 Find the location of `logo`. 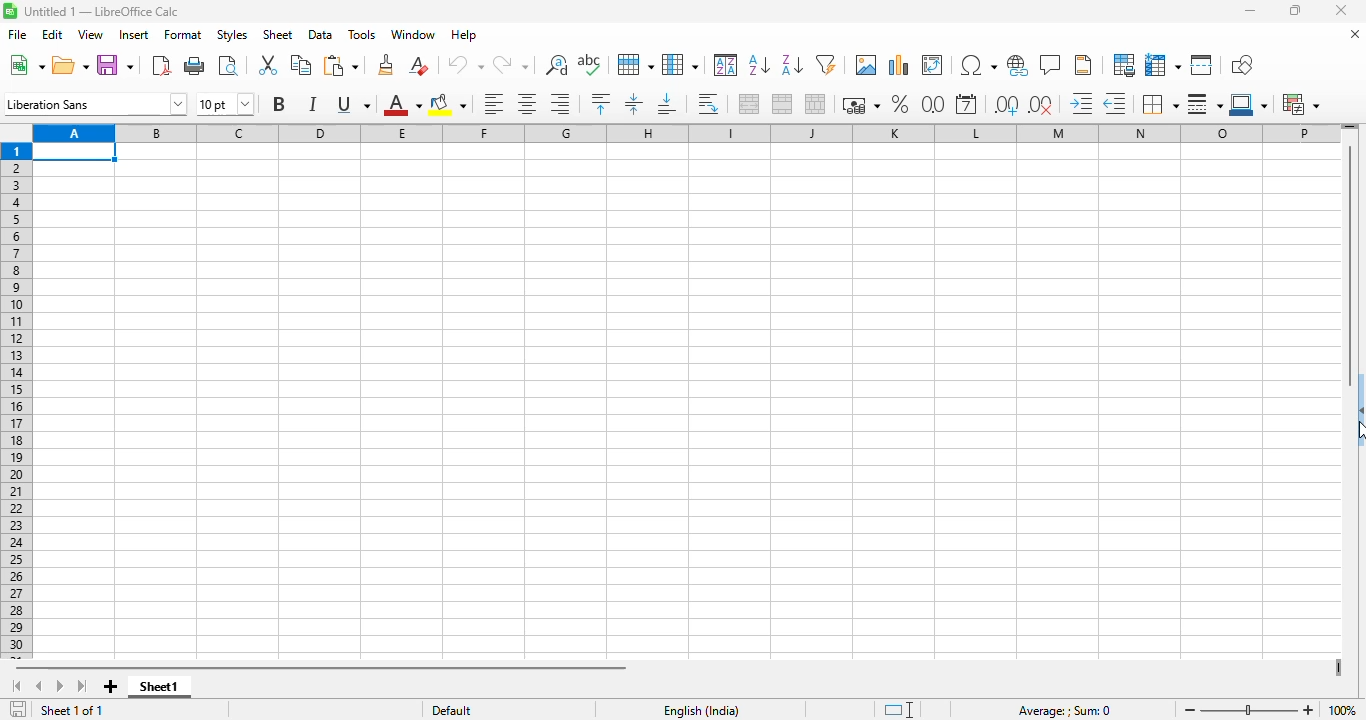

logo is located at coordinates (10, 11).